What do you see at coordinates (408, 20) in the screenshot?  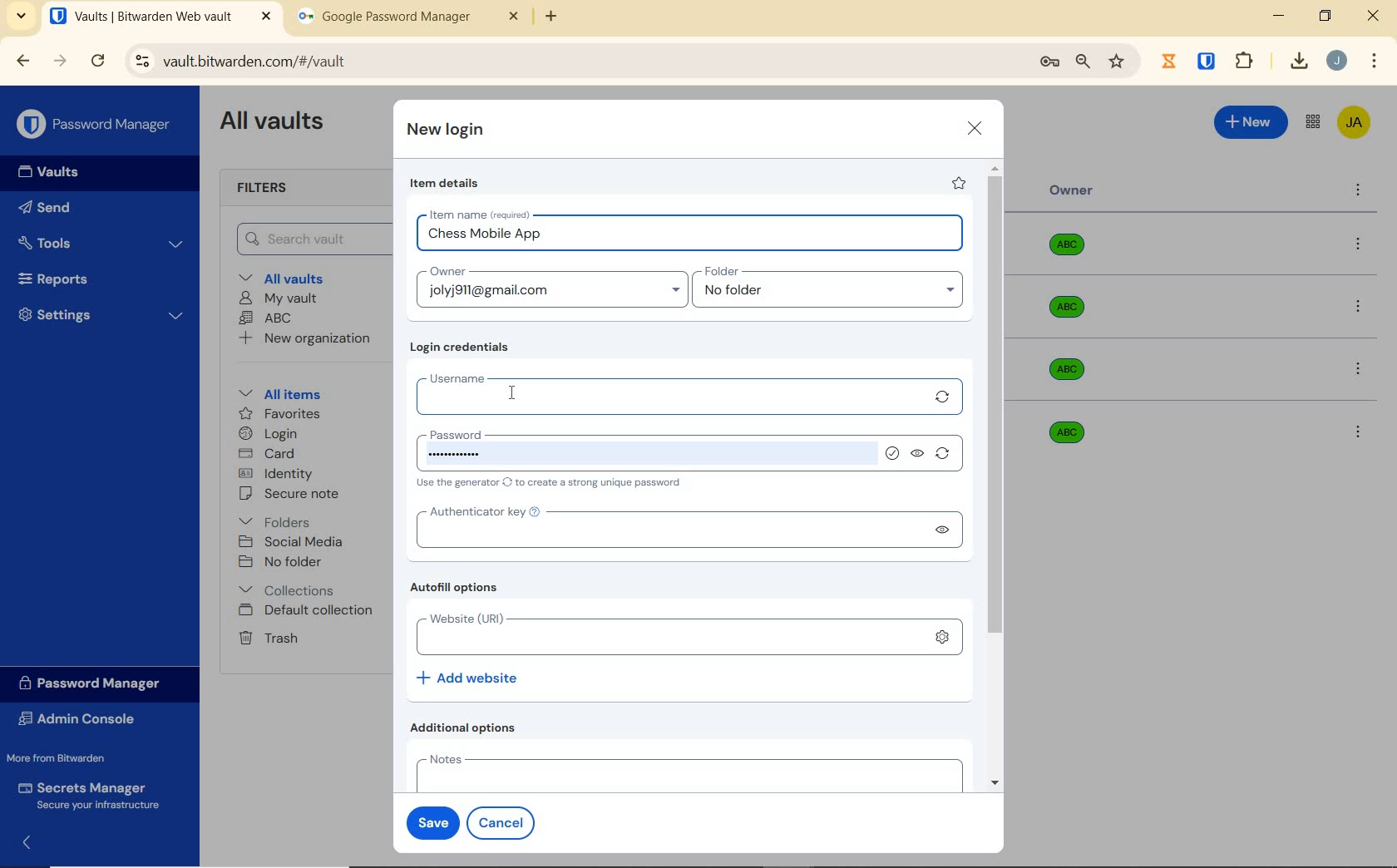 I see `tab` at bounding box center [408, 20].